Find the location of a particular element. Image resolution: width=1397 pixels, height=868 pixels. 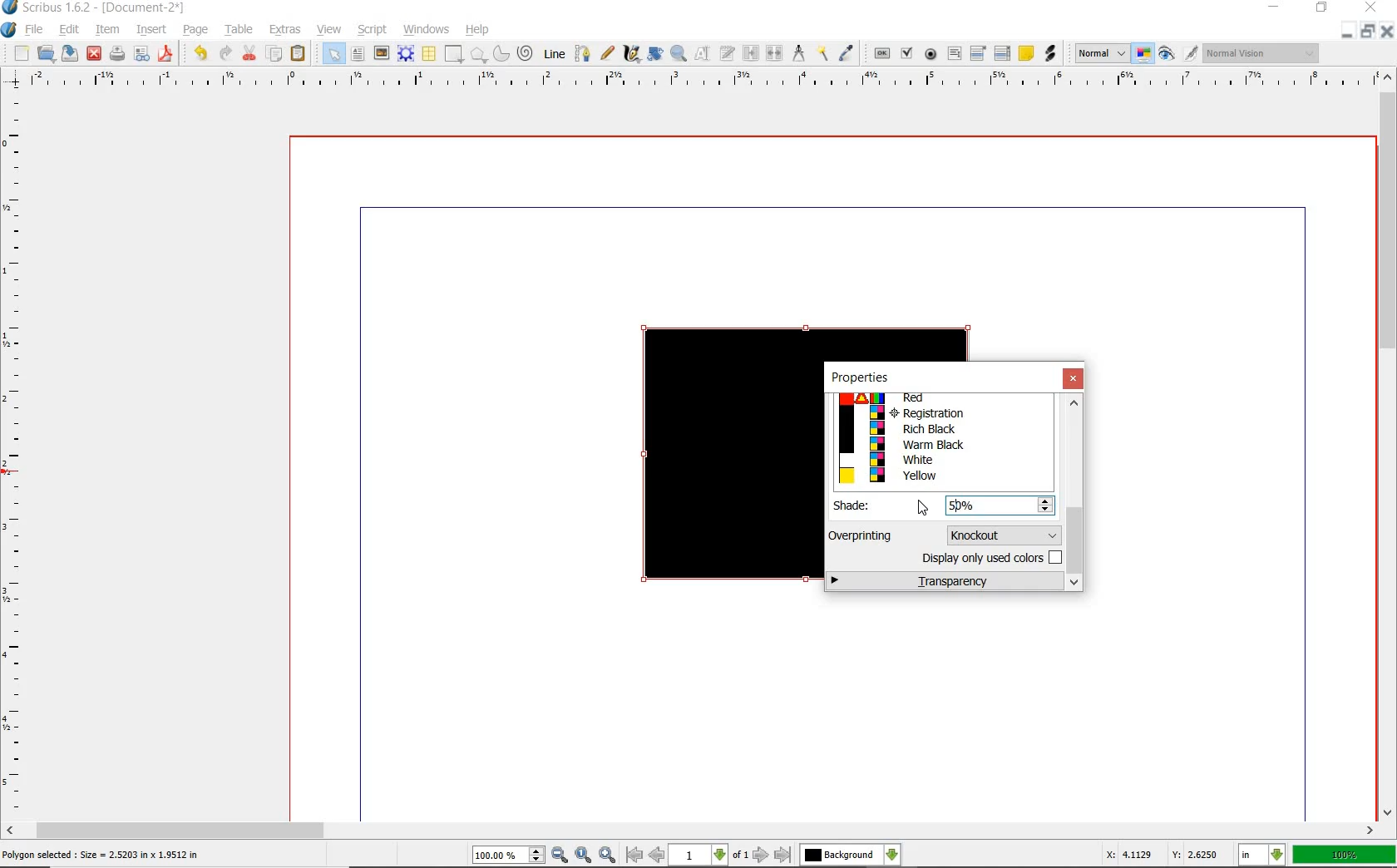

item is located at coordinates (109, 29).